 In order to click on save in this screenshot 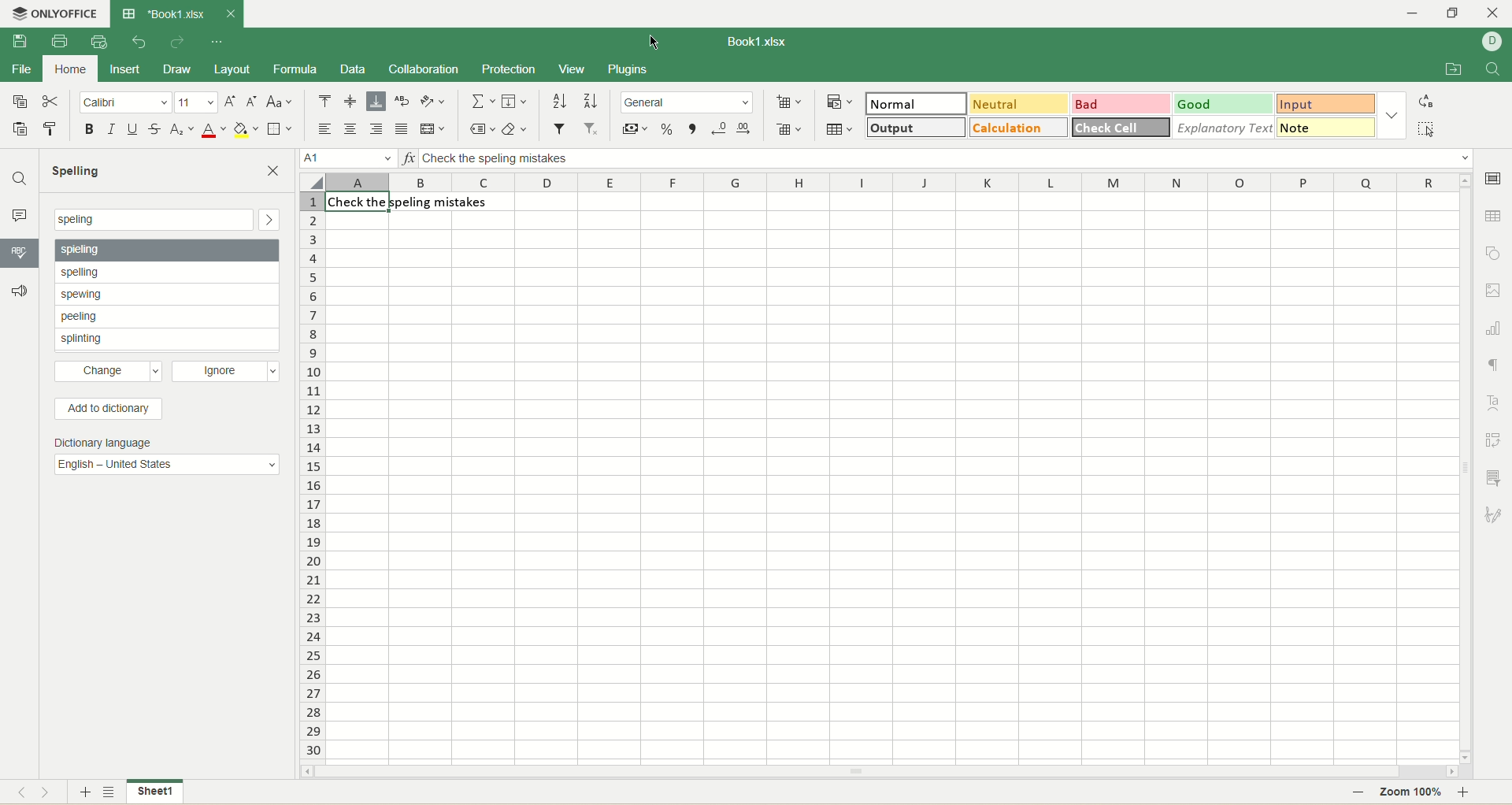, I will do `click(21, 41)`.